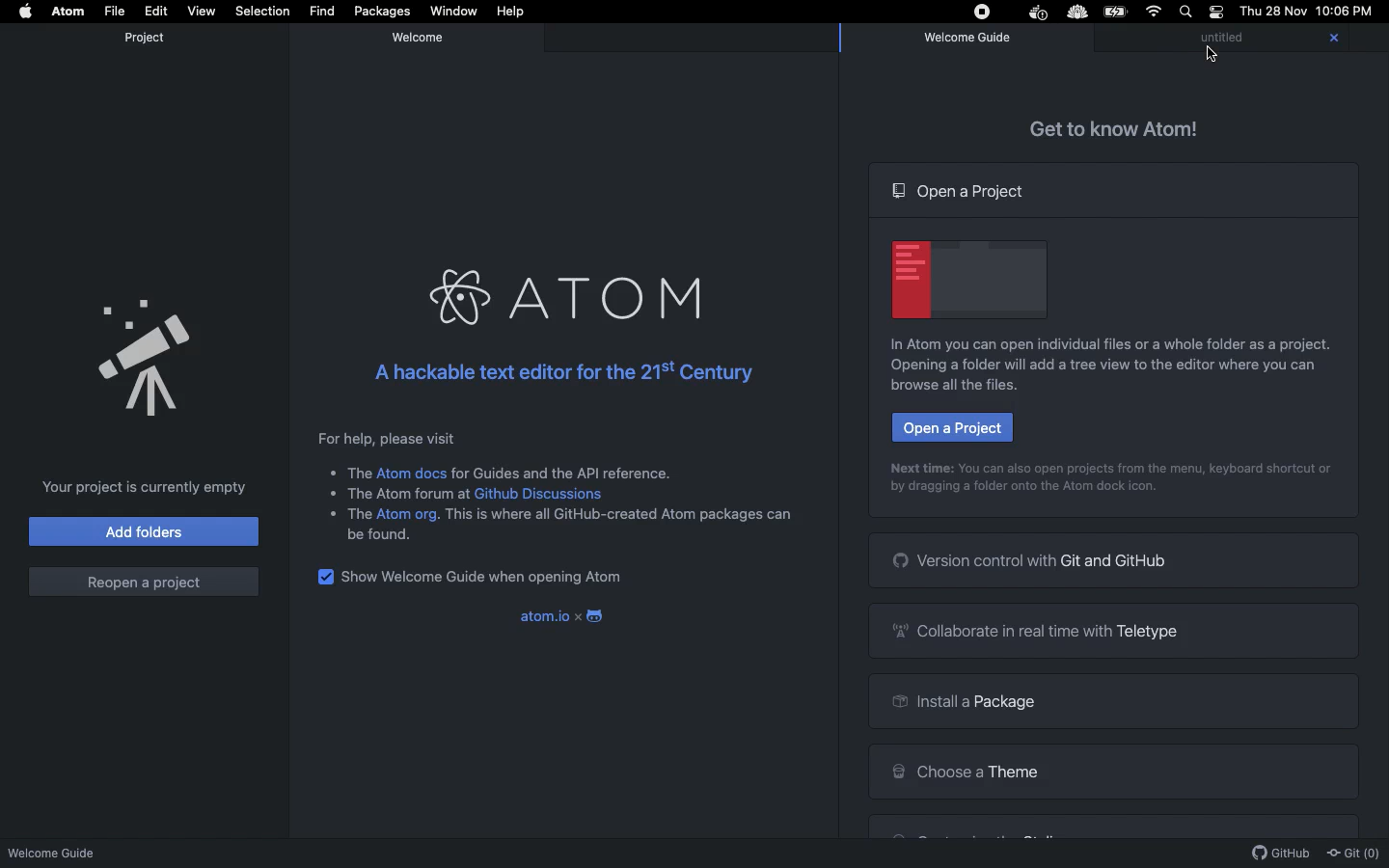 This screenshot has height=868, width=1389. Describe the element at coordinates (113, 11) in the screenshot. I see `File` at that location.